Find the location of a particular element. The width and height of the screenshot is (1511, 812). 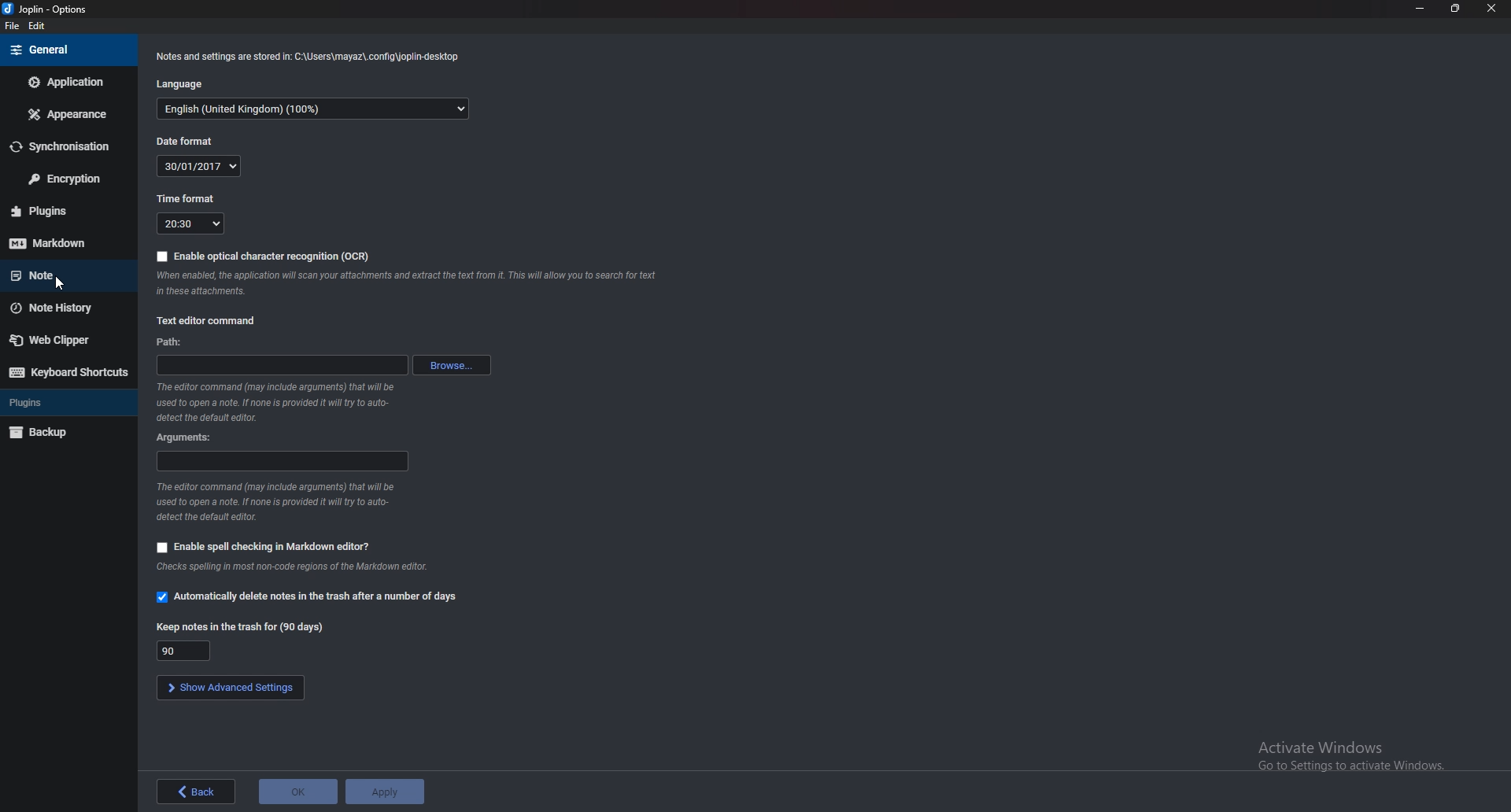

Info is located at coordinates (312, 57).